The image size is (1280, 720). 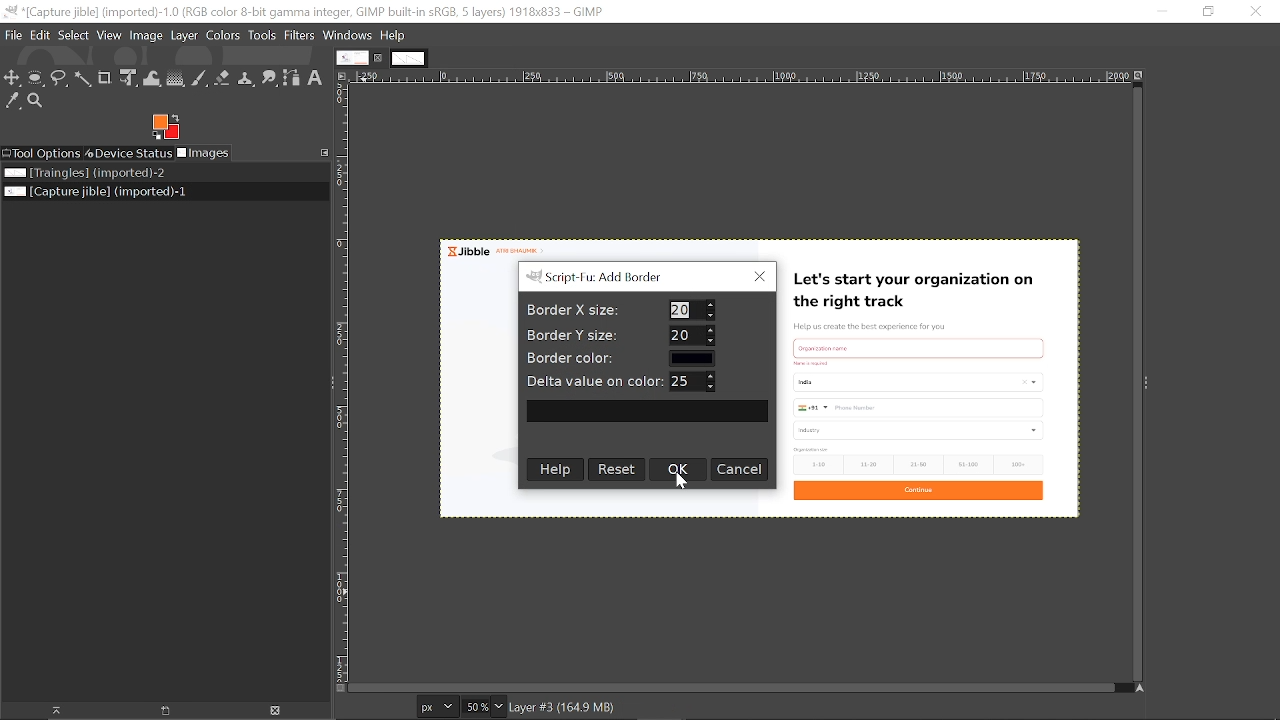 I want to click on Free select tool, so click(x=61, y=79).